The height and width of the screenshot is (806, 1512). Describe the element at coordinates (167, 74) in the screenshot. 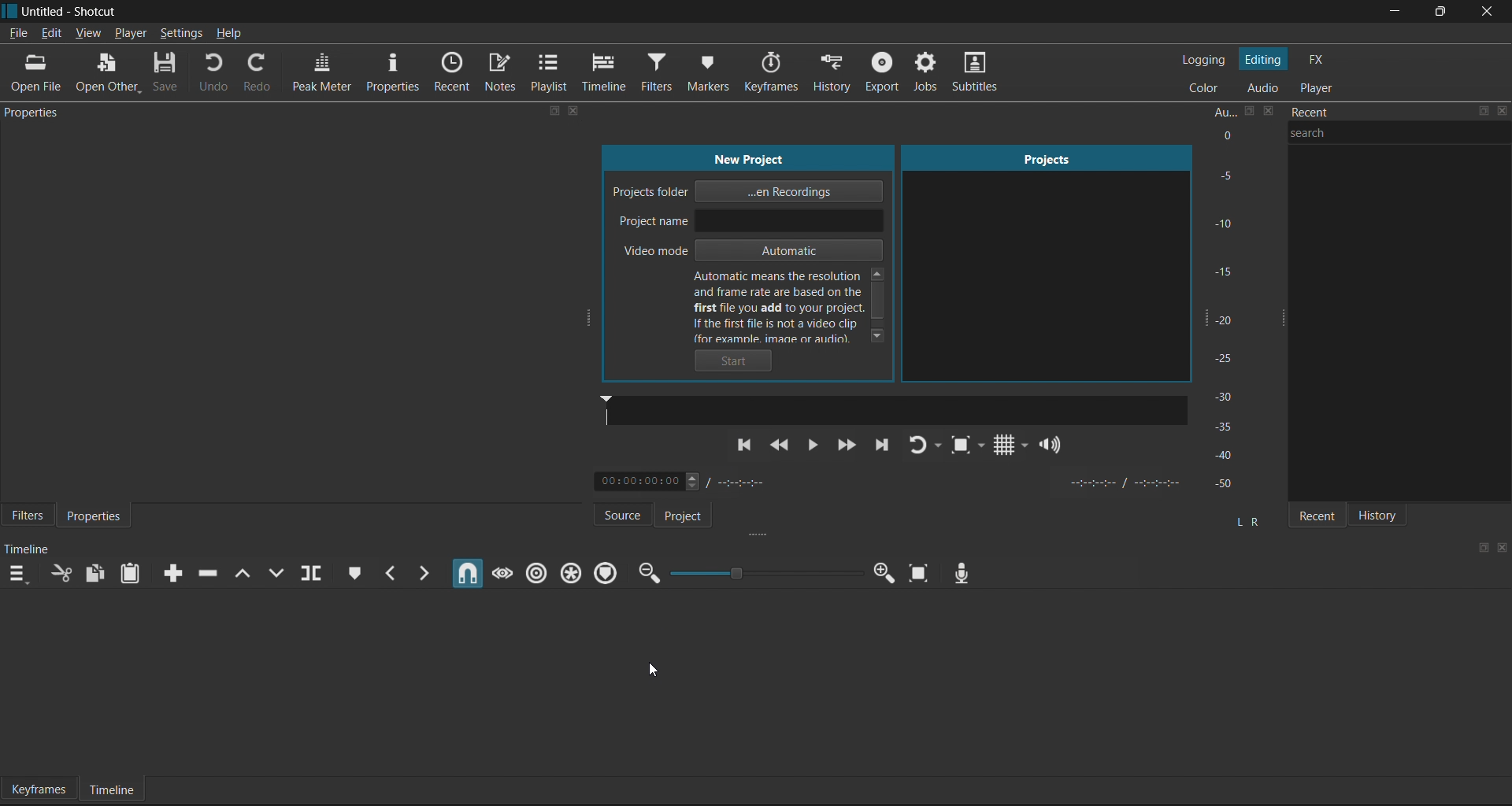

I see `Save` at that location.